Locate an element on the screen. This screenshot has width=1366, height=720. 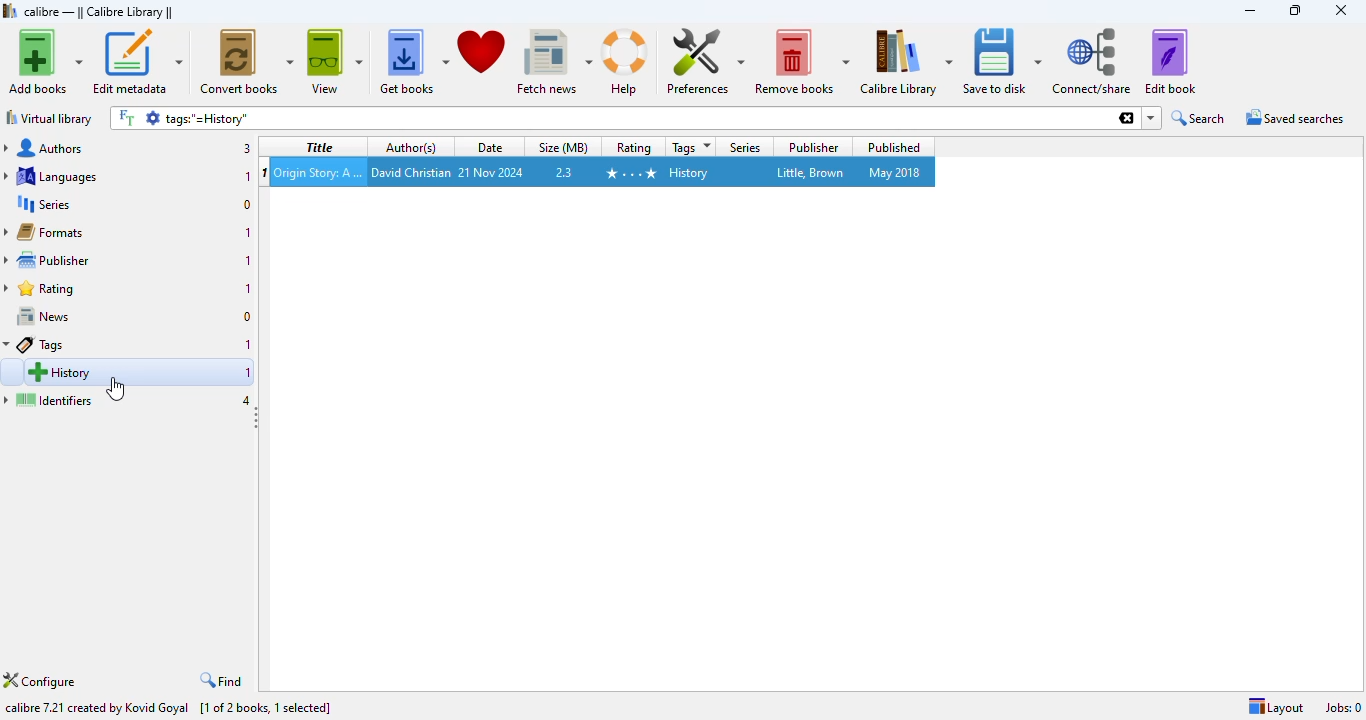
1 is located at coordinates (246, 177).